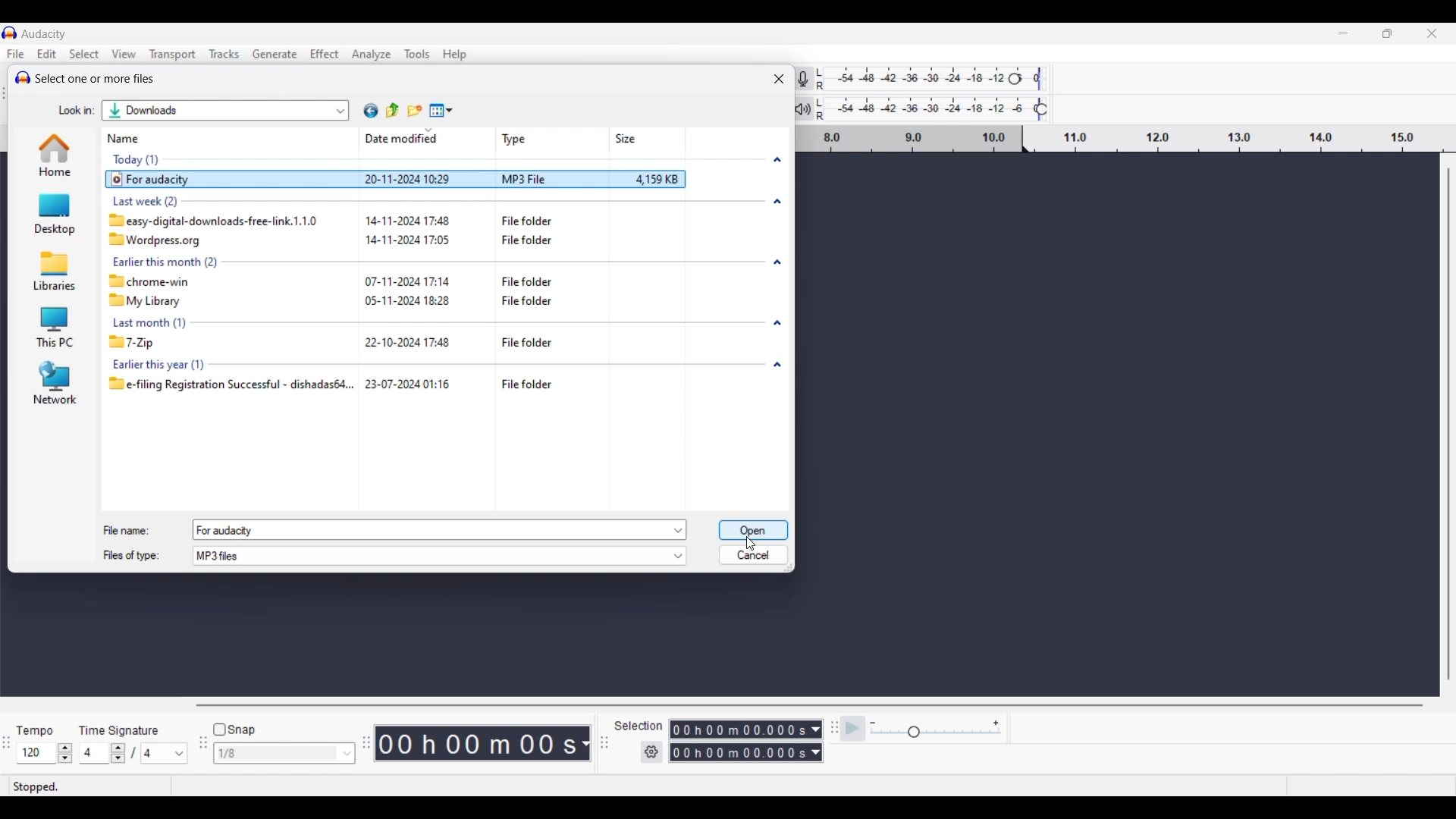  What do you see at coordinates (1432, 33) in the screenshot?
I see `Close interface` at bounding box center [1432, 33].